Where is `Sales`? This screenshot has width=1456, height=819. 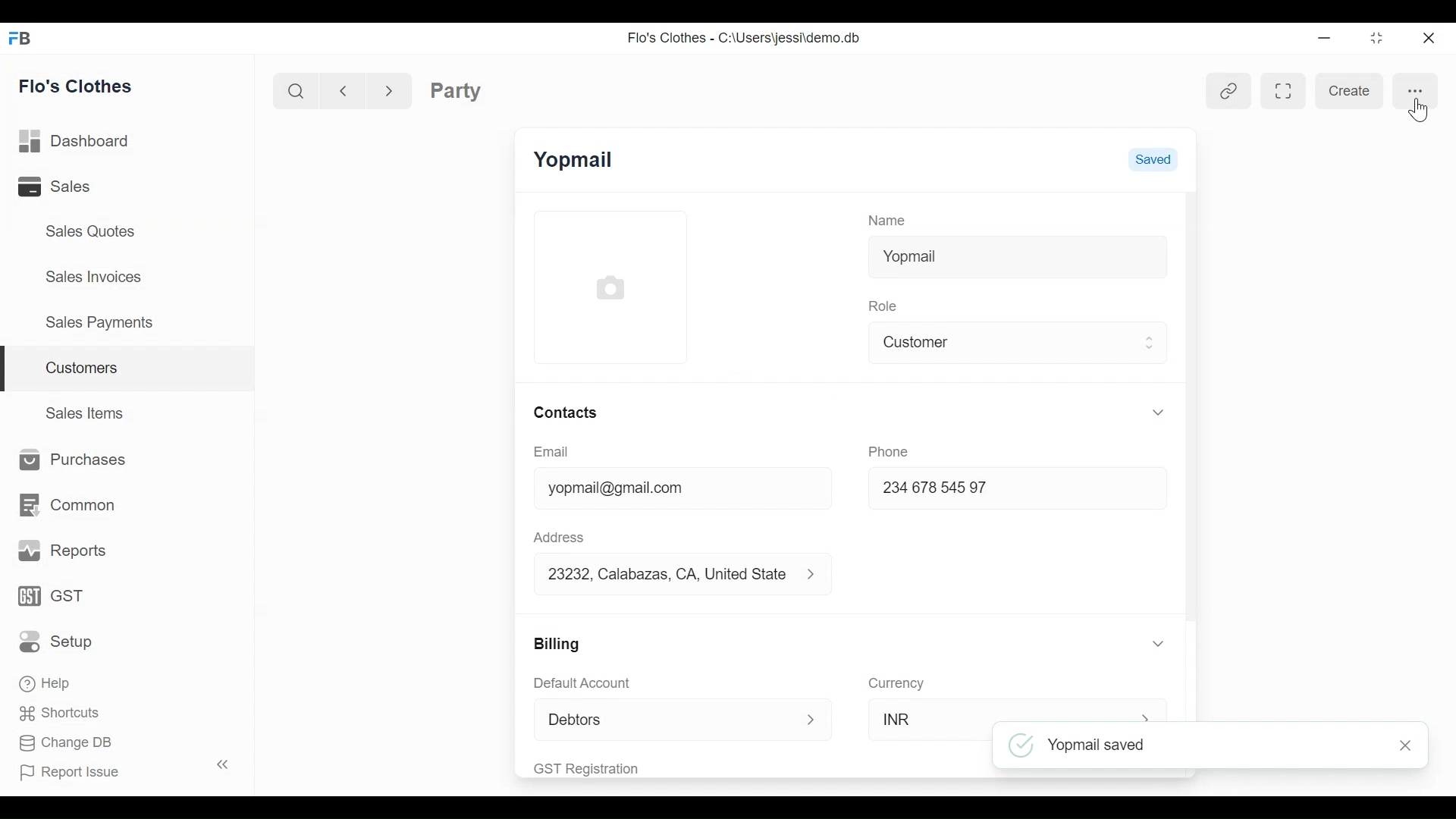 Sales is located at coordinates (75, 186).